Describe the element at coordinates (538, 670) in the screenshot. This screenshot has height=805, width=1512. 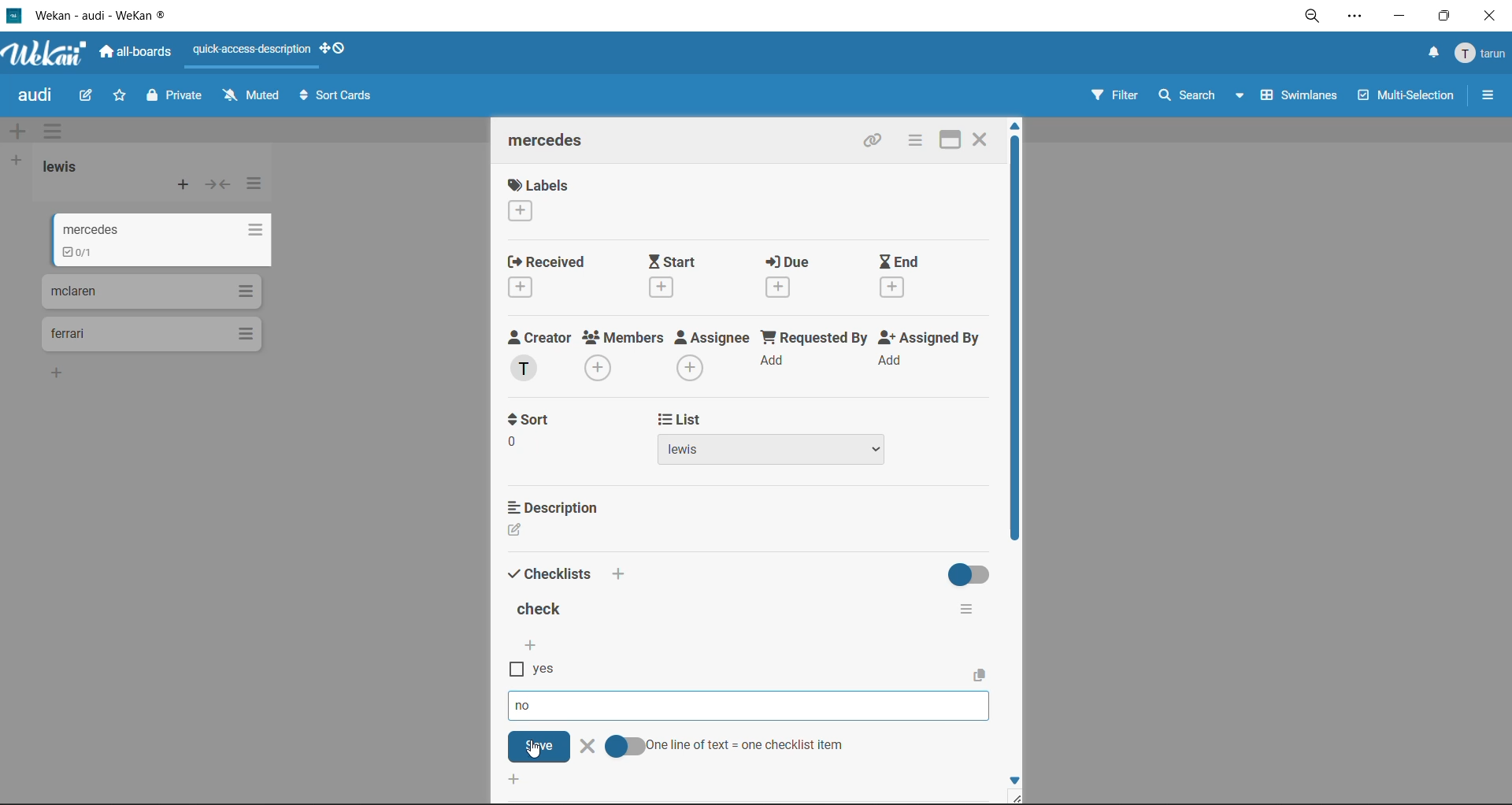
I see `checklist option saved` at that location.